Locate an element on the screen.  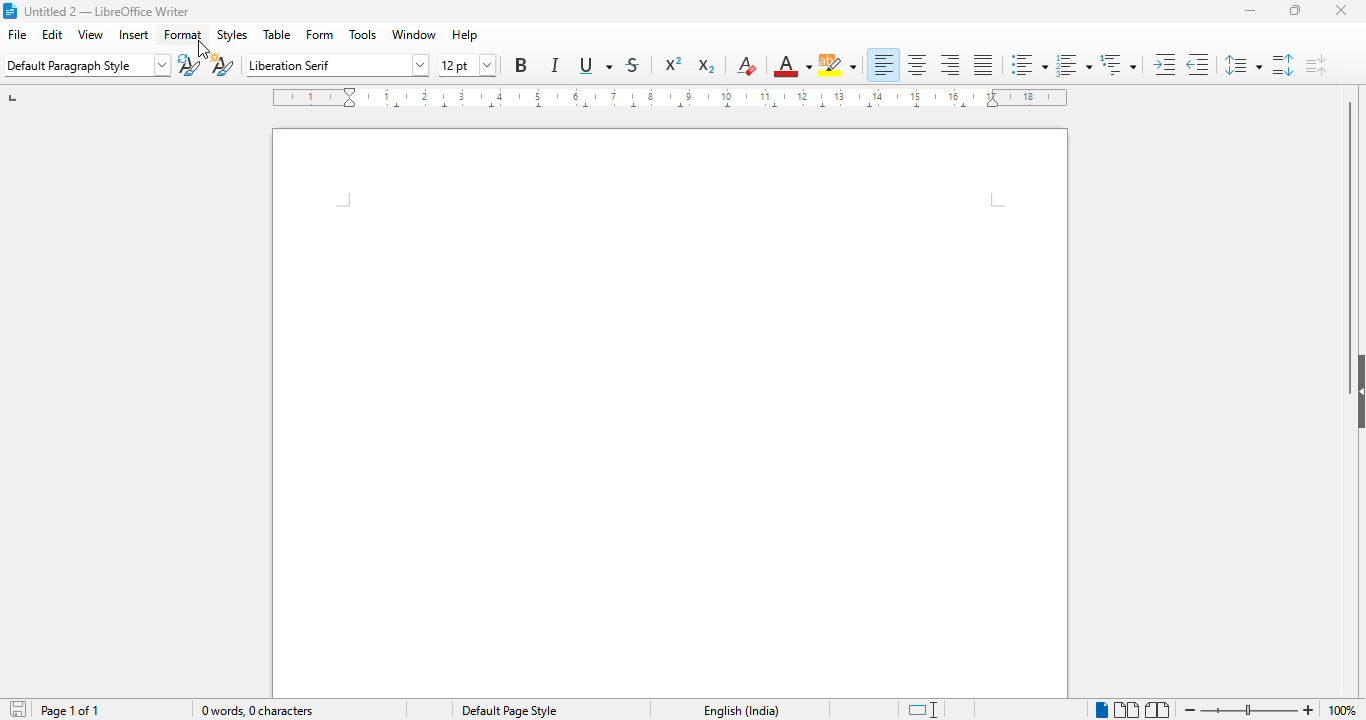
increase indent is located at coordinates (1165, 65).